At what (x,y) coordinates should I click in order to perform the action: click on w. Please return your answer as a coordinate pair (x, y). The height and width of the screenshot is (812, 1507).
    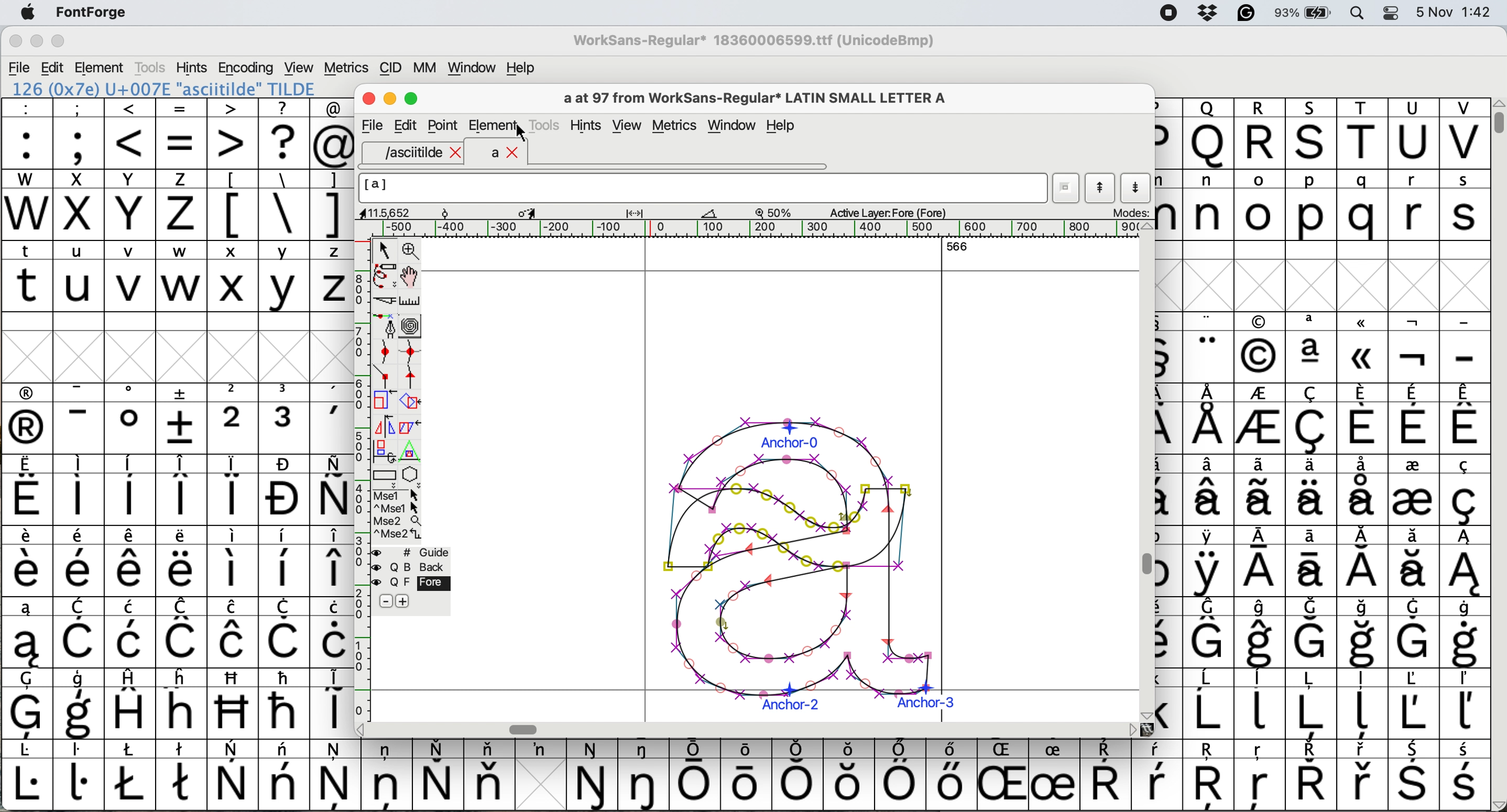
    Looking at the image, I should click on (181, 277).